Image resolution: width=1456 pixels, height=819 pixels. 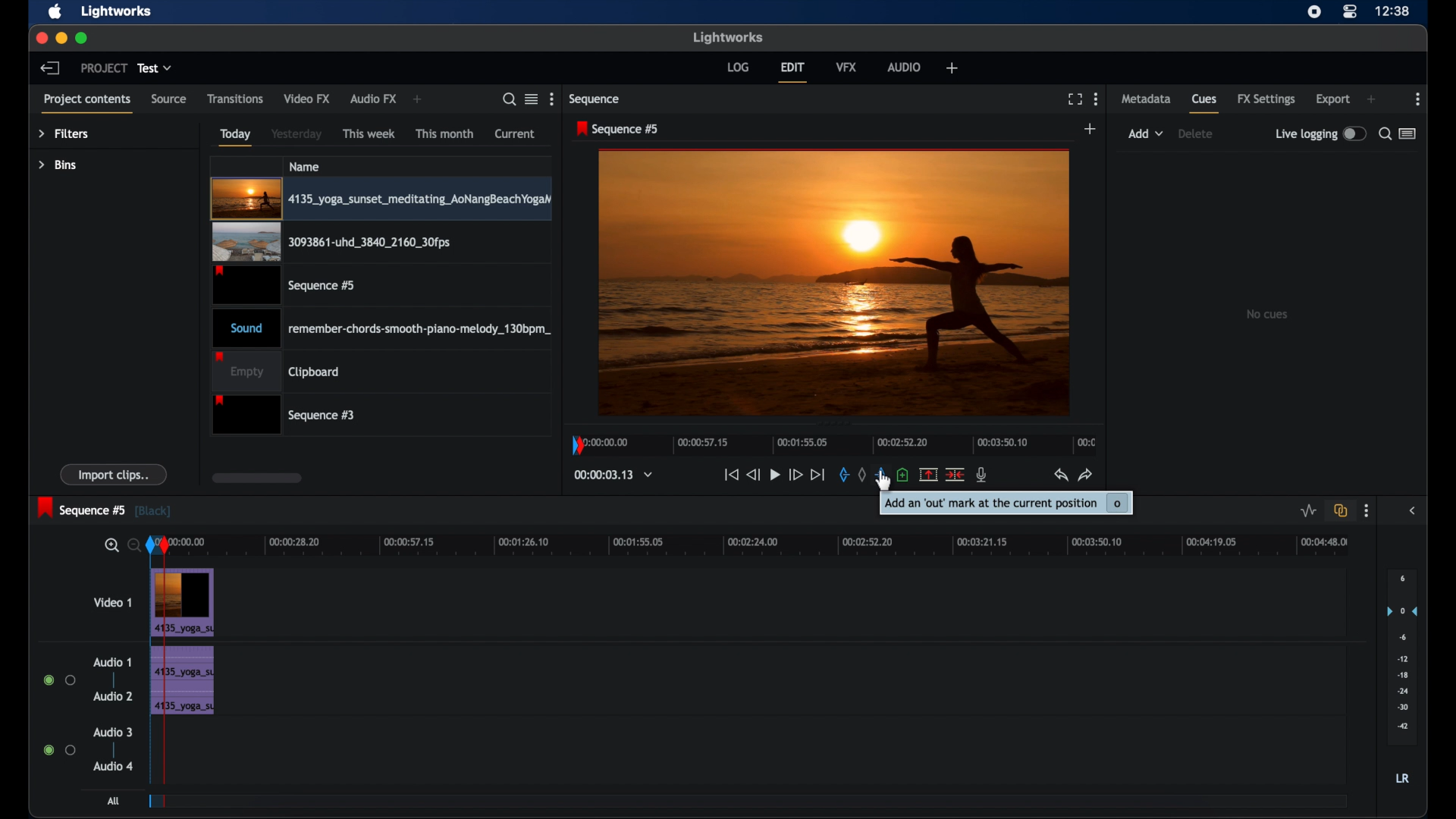 What do you see at coordinates (861, 474) in the screenshot?
I see `clear all marks` at bounding box center [861, 474].